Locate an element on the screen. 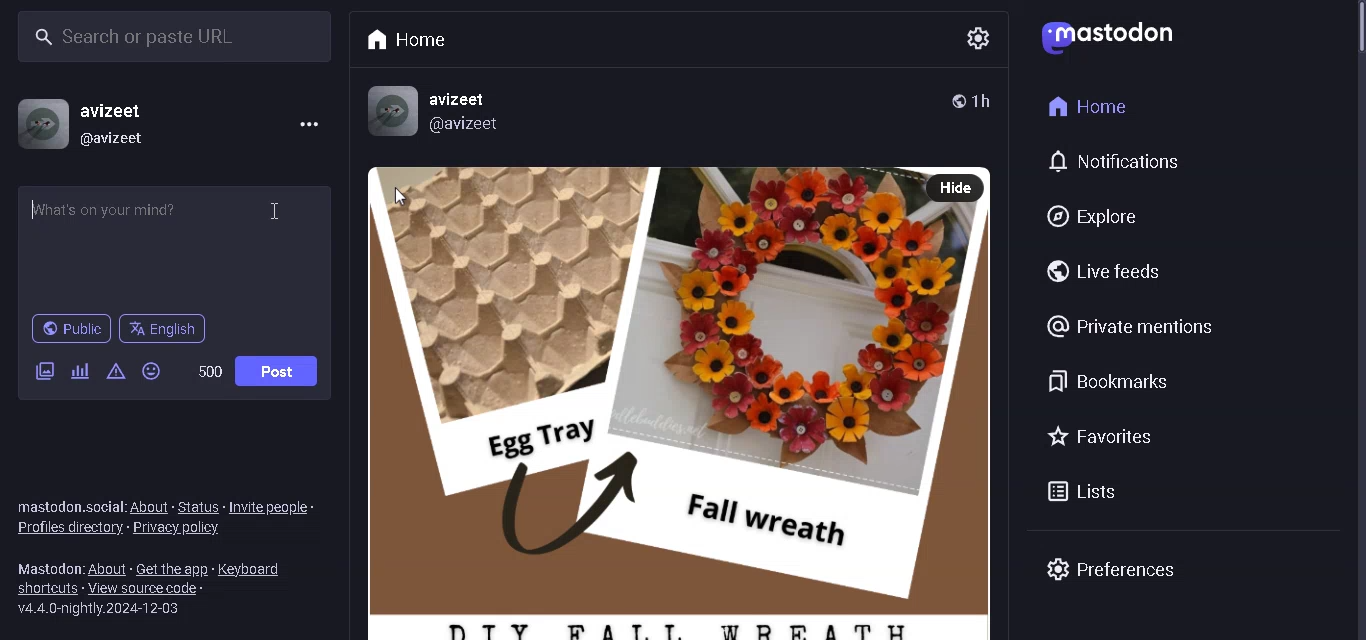 This screenshot has width=1366, height=640. ADD IMAGE is located at coordinates (44, 369).